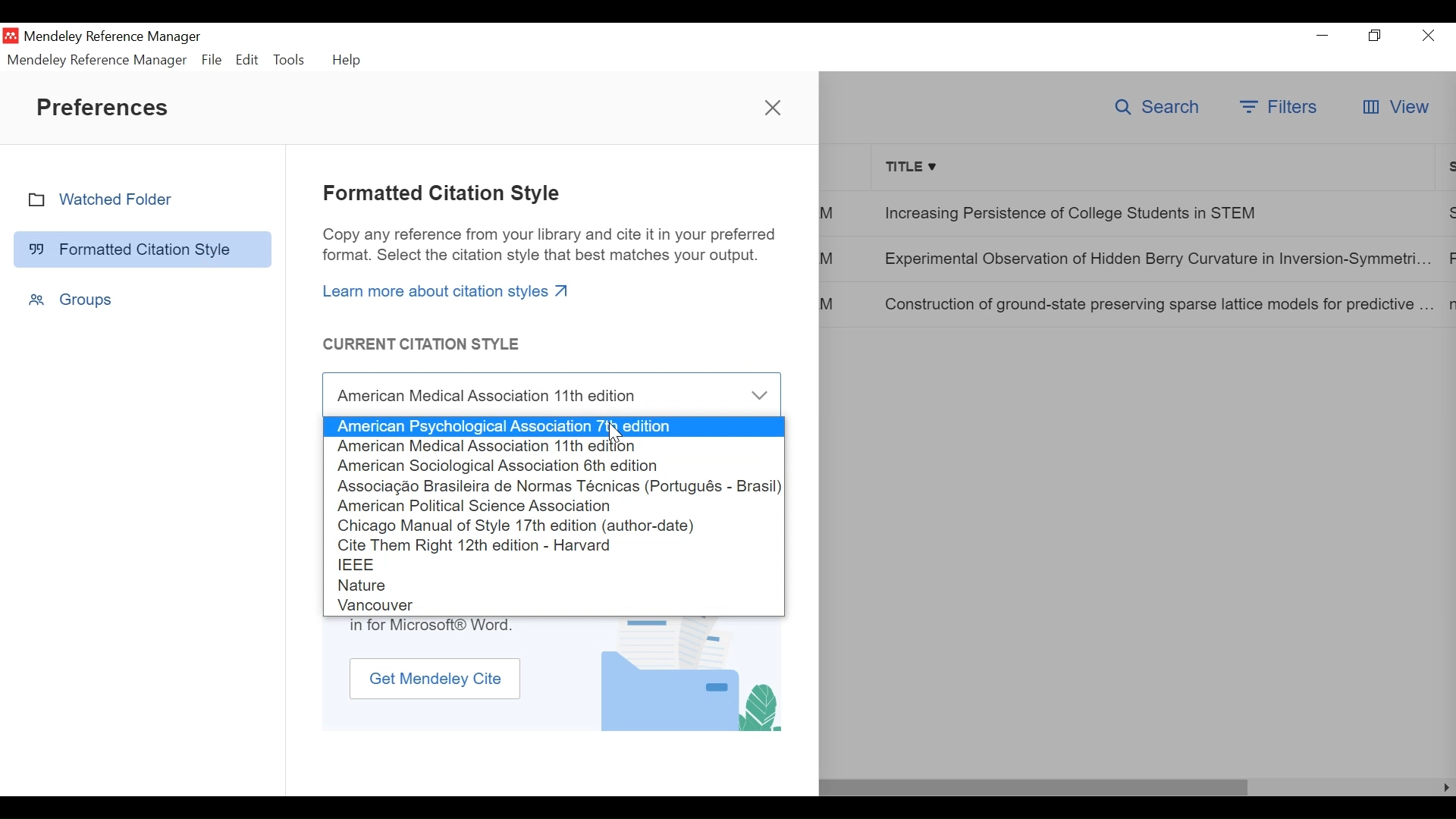  What do you see at coordinates (1153, 212) in the screenshot?
I see `Increasing Persistence of College Students in STEM` at bounding box center [1153, 212].